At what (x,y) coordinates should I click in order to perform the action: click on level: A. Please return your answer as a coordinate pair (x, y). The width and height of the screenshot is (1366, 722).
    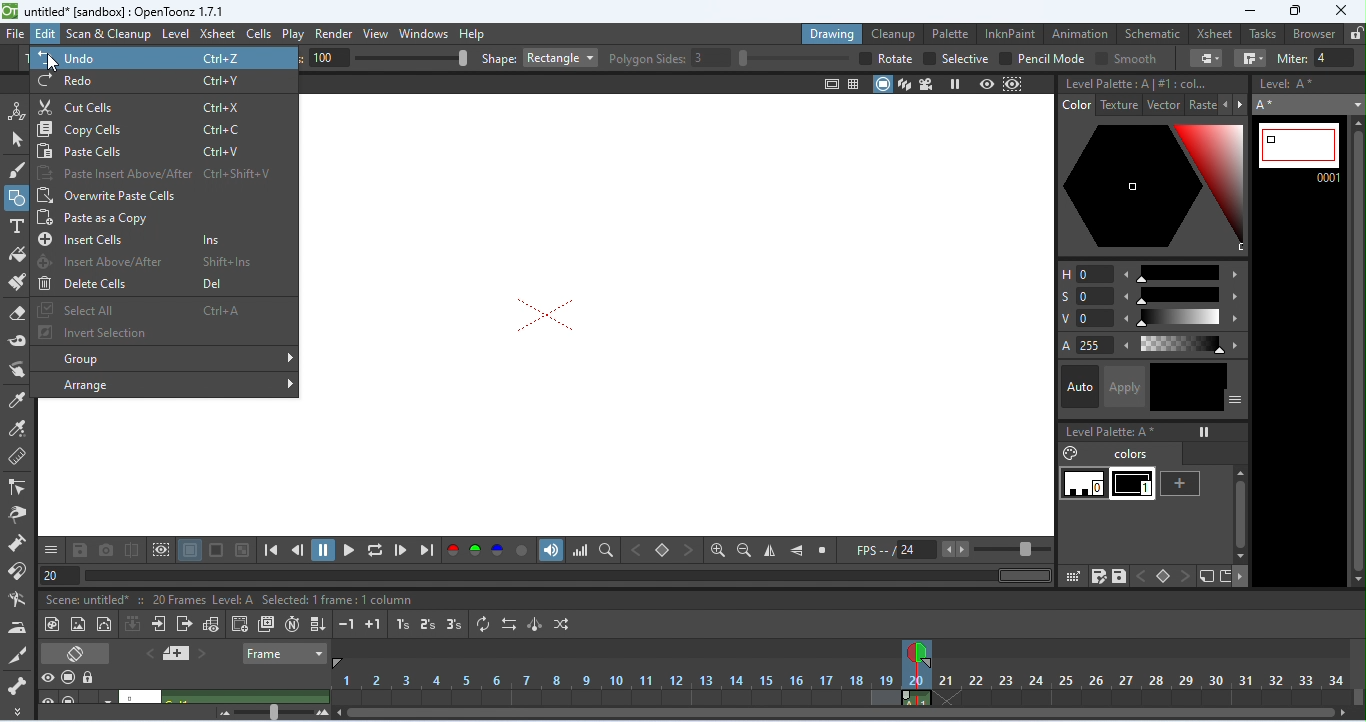
    Looking at the image, I should click on (1297, 83).